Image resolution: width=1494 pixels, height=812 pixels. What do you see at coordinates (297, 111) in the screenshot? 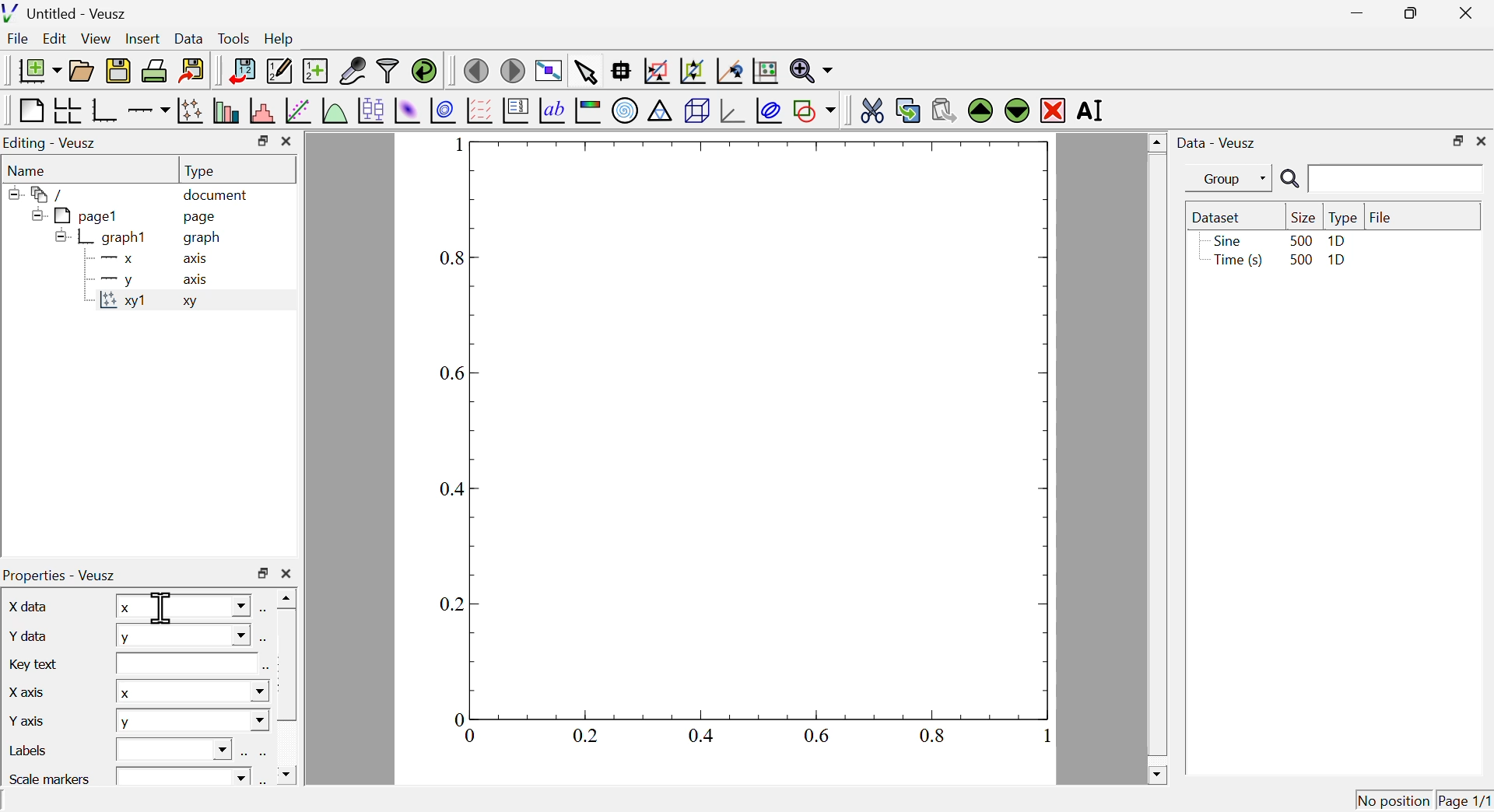
I see `fit a function to data` at bounding box center [297, 111].